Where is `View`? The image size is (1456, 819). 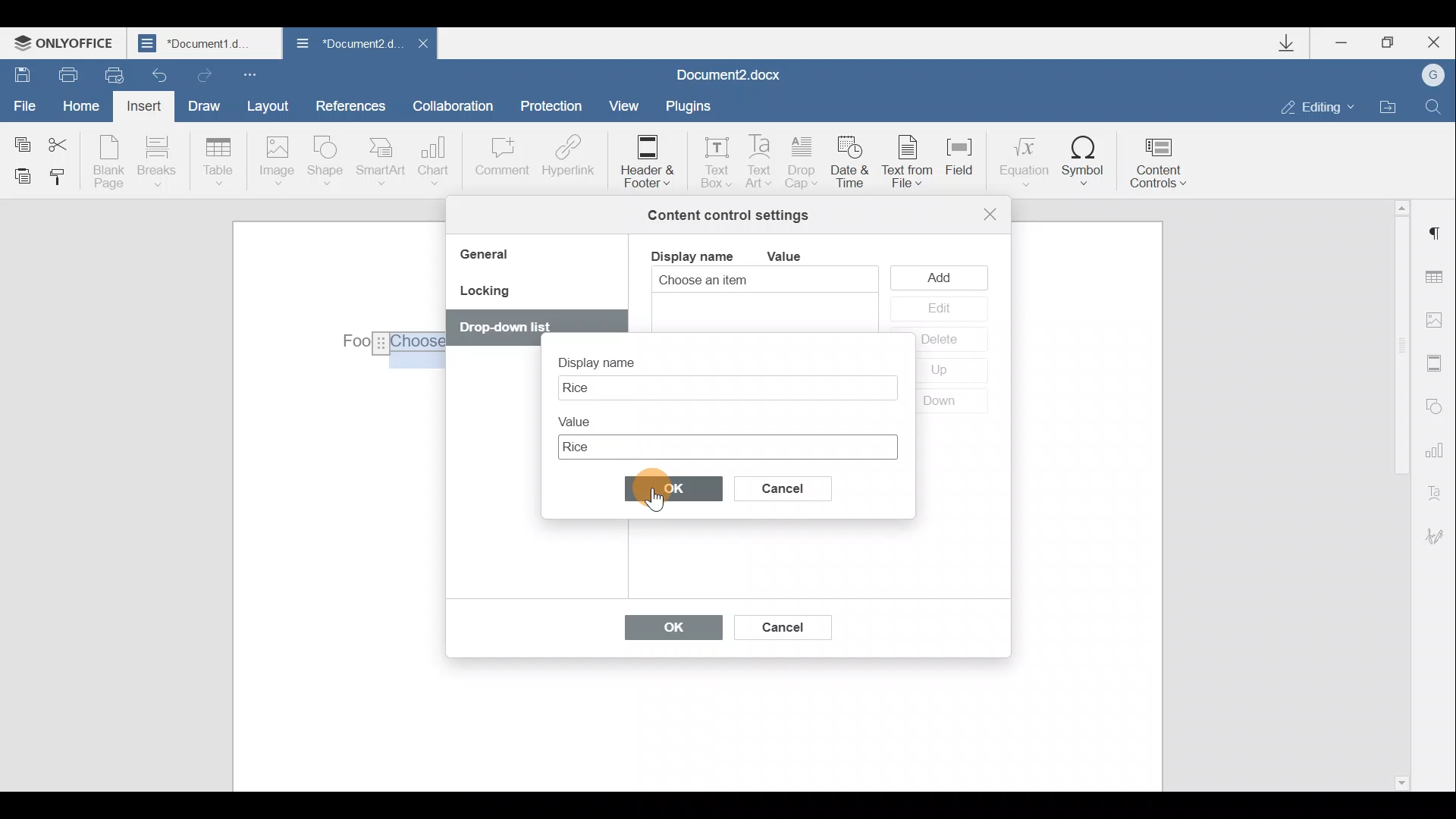 View is located at coordinates (625, 105).